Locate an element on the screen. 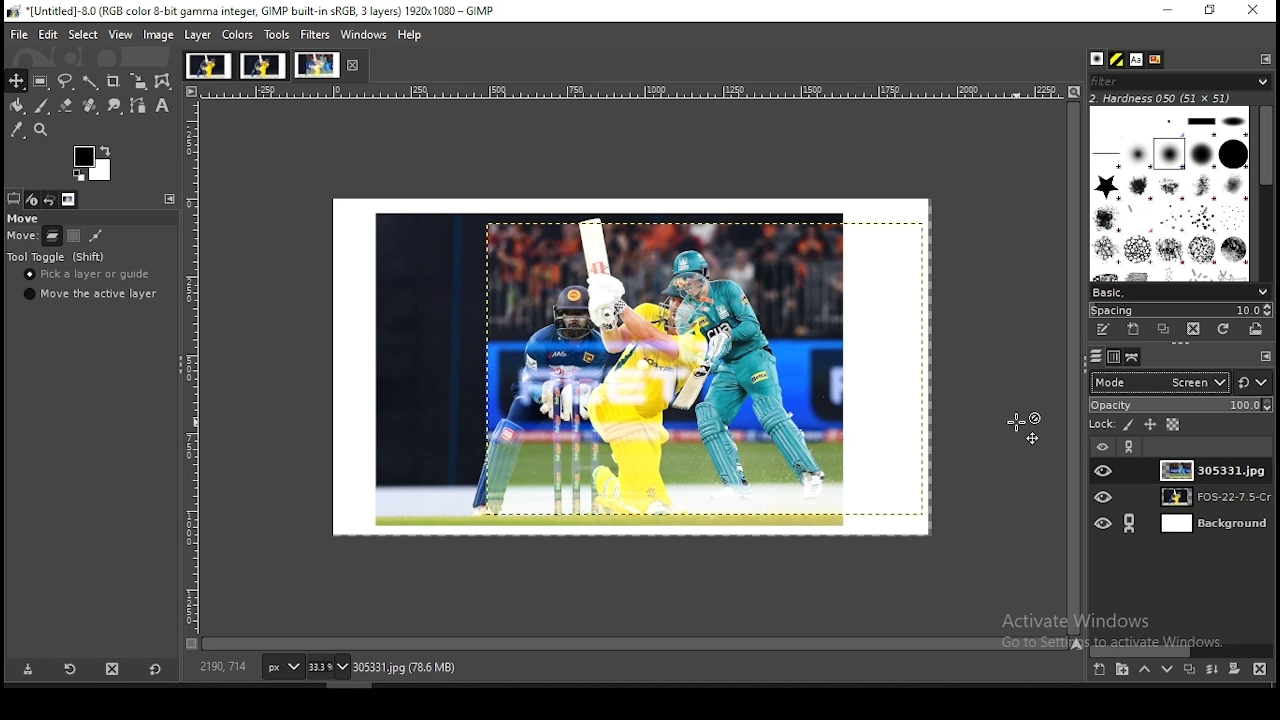 The height and width of the screenshot is (720, 1280). document history is located at coordinates (1157, 58).